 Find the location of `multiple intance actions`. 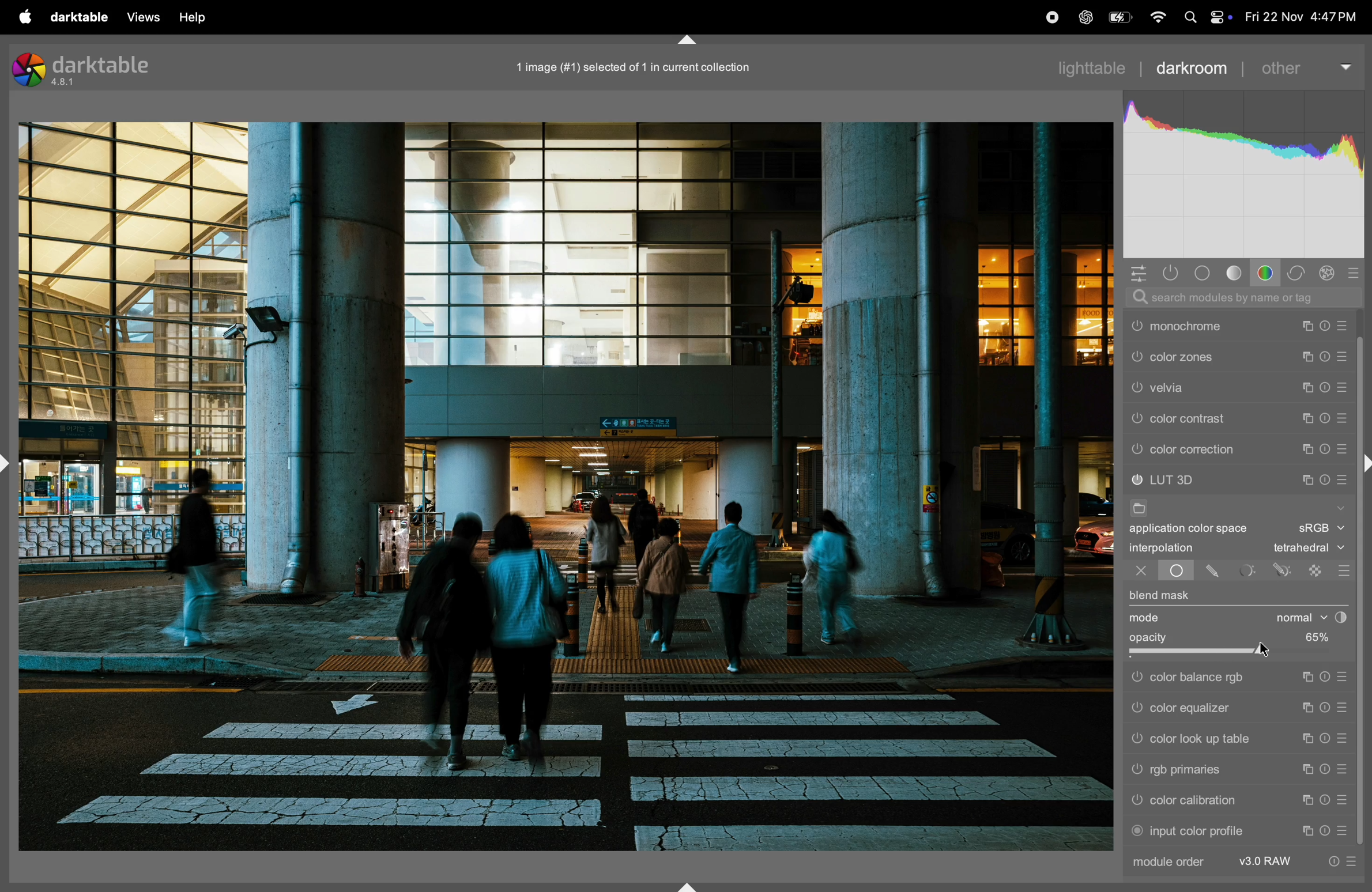

multiple intance actions is located at coordinates (1308, 385).